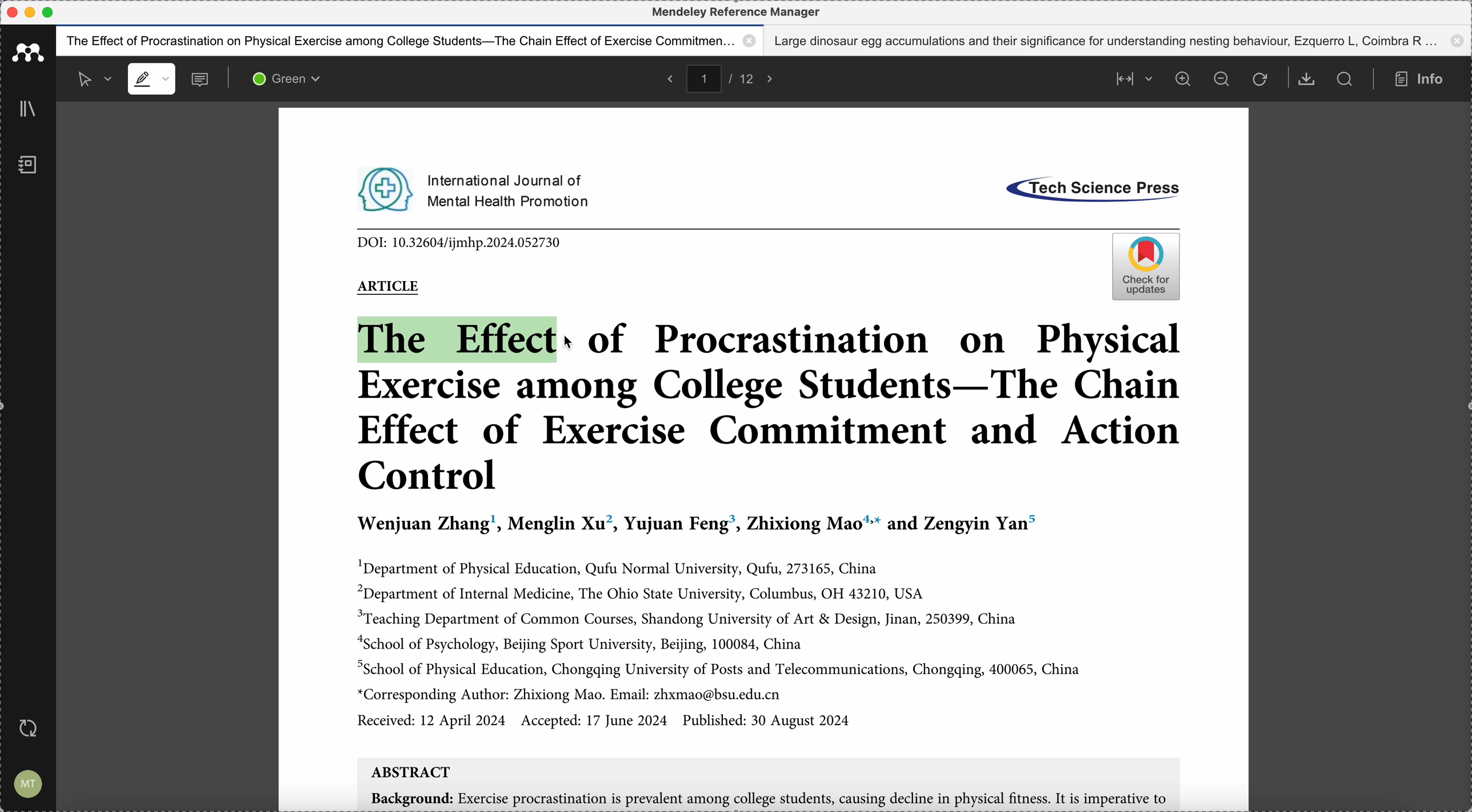 Image resolution: width=1472 pixels, height=812 pixels. What do you see at coordinates (566, 341) in the screenshot?
I see `cursor` at bounding box center [566, 341].